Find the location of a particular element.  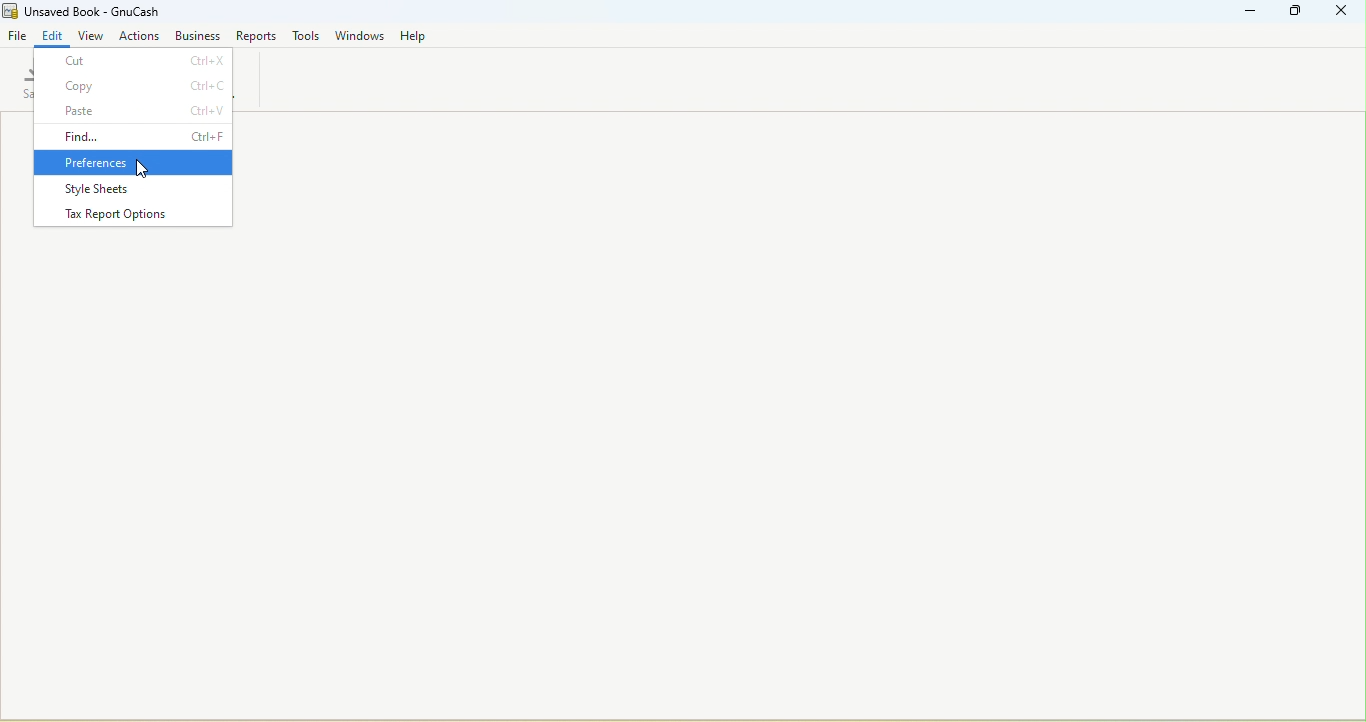

Tools is located at coordinates (305, 35).